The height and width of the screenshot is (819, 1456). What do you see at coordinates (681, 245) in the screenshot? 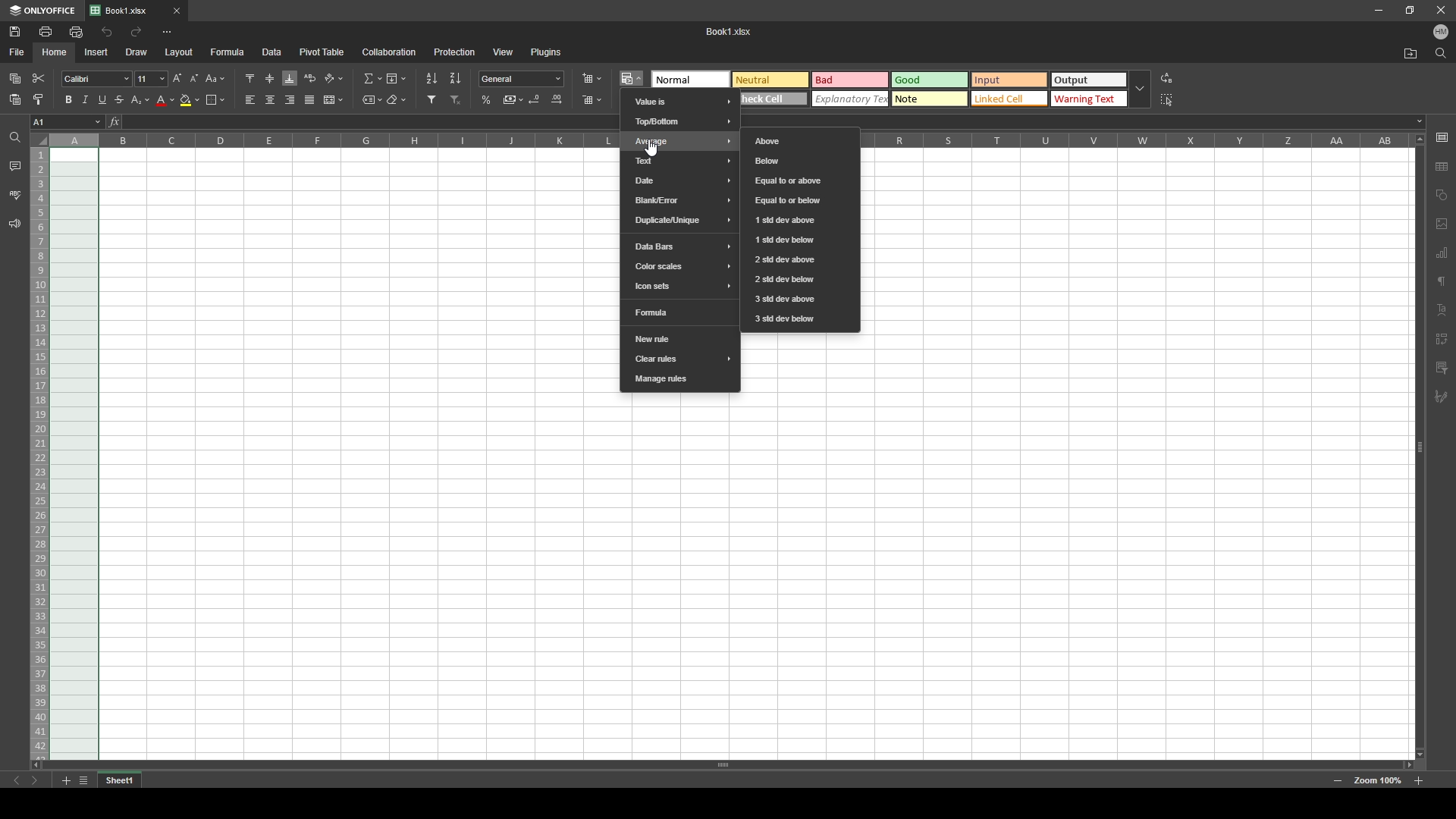
I see `data bars` at bounding box center [681, 245].